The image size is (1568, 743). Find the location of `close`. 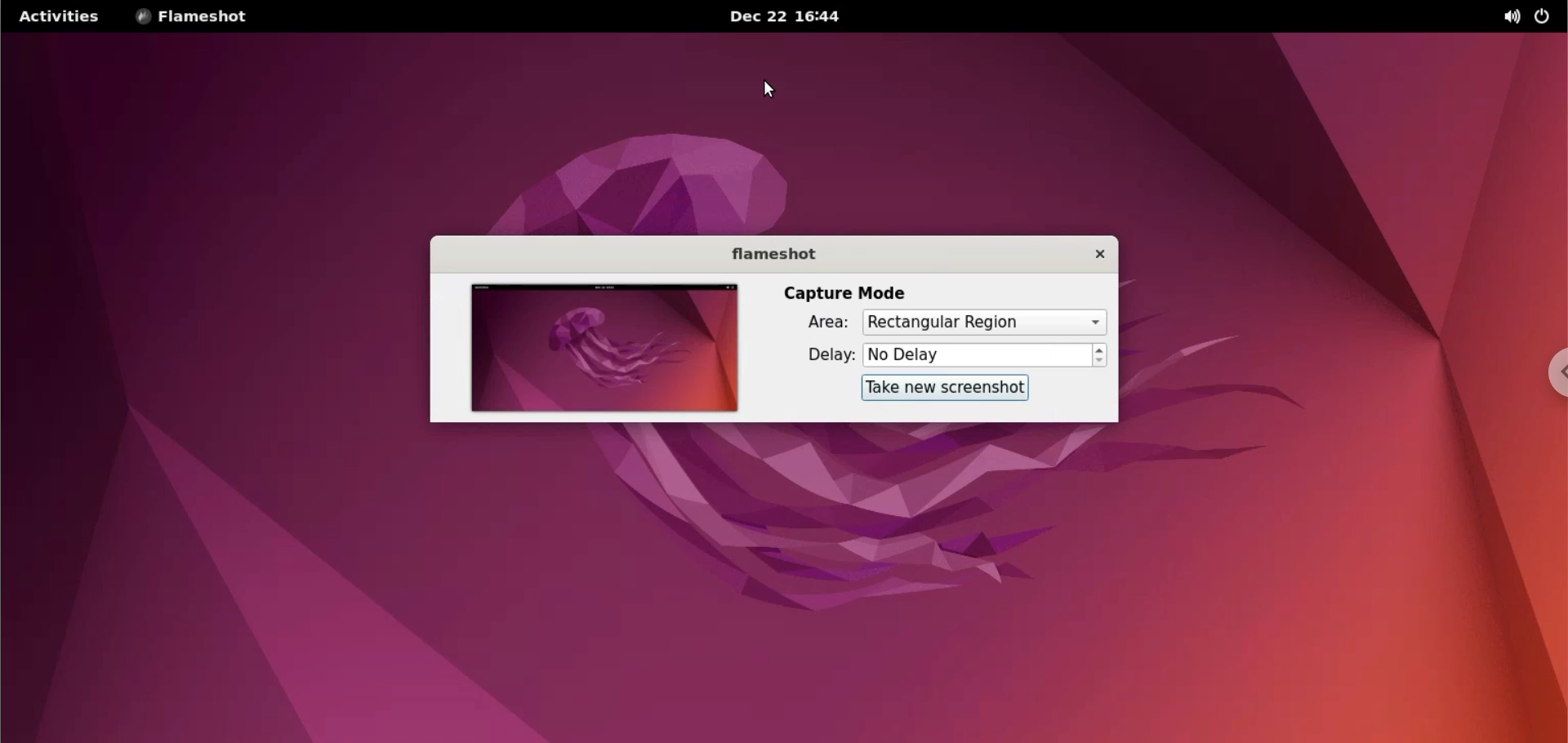

close is located at coordinates (1094, 253).